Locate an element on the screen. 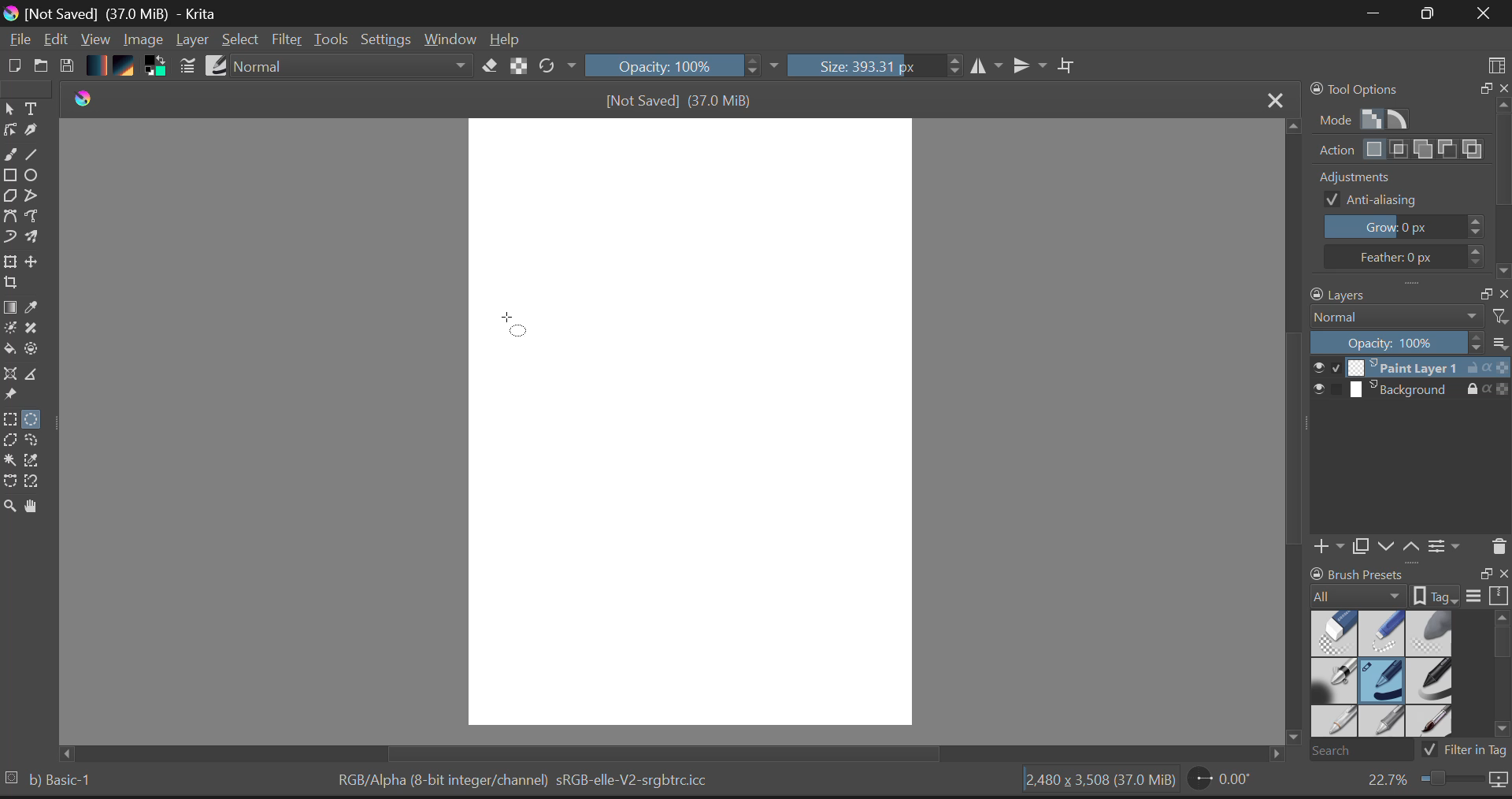 This screenshot has width=1512, height=799. Refresh is located at coordinates (557, 67).